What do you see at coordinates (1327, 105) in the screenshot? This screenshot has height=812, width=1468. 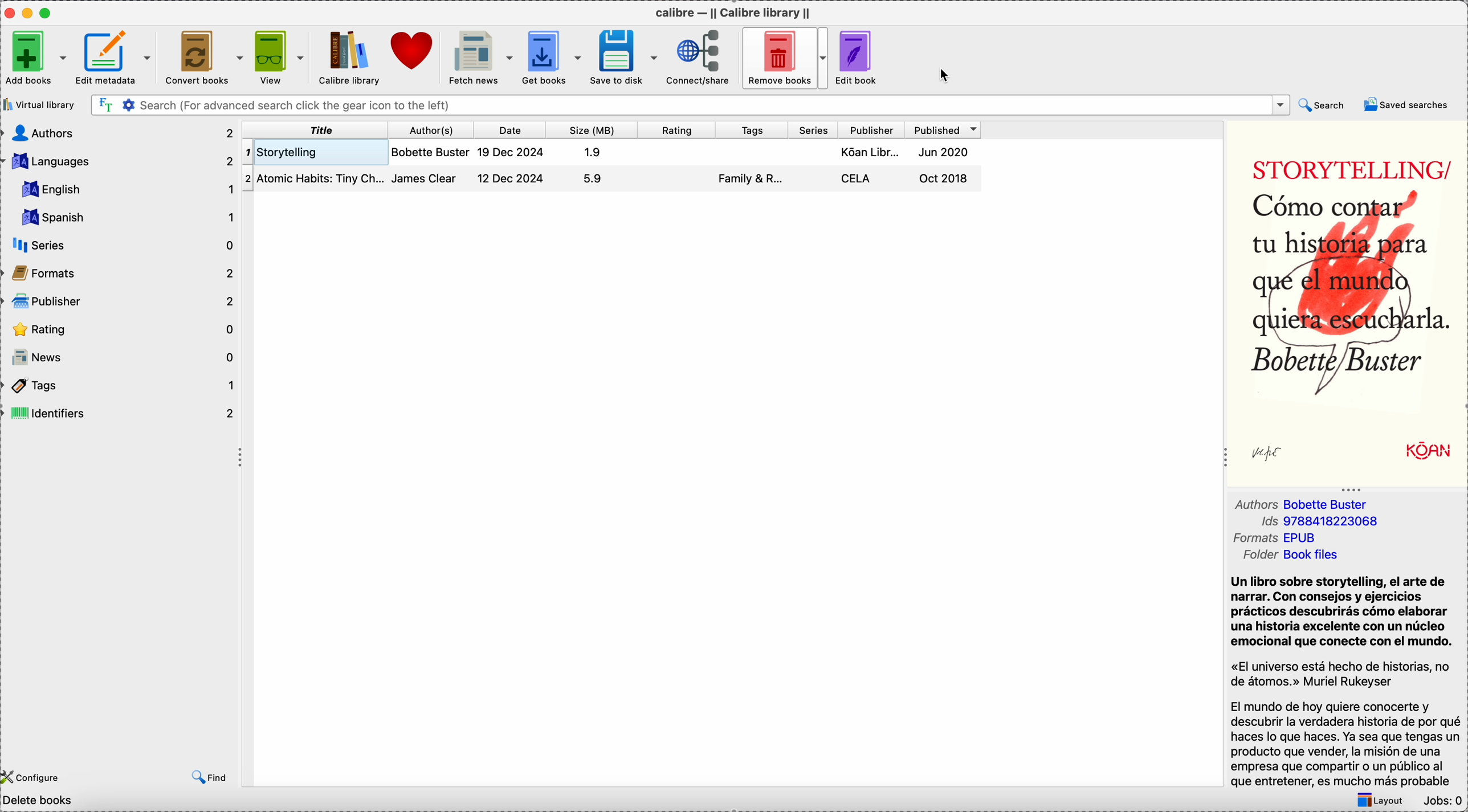 I see `search` at bounding box center [1327, 105].